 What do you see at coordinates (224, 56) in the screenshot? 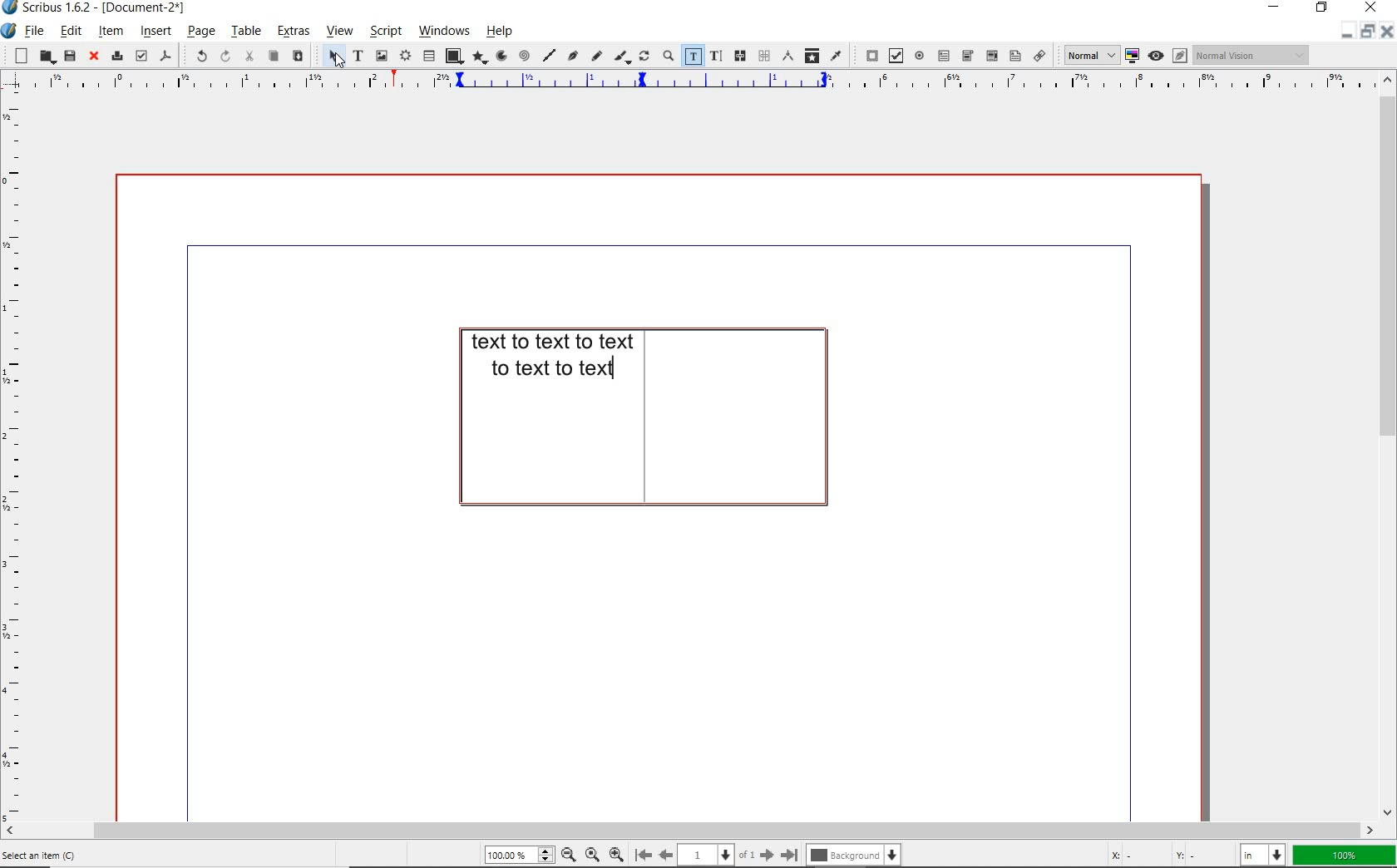
I see `redo` at bounding box center [224, 56].